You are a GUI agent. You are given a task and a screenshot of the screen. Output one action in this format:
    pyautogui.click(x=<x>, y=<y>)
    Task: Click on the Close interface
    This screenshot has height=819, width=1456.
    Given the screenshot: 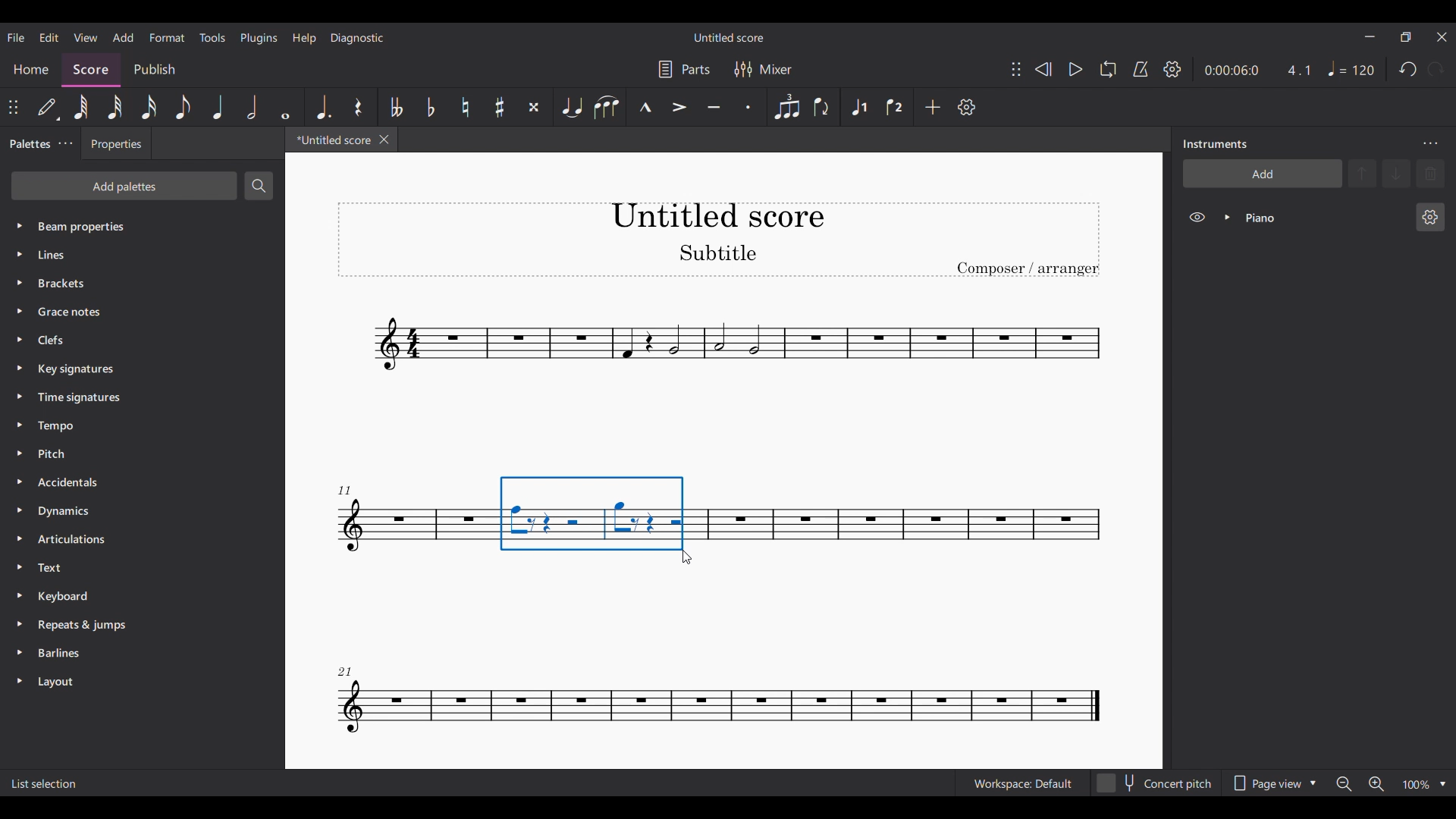 What is the action you would take?
    pyautogui.click(x=1442, y=37)
    